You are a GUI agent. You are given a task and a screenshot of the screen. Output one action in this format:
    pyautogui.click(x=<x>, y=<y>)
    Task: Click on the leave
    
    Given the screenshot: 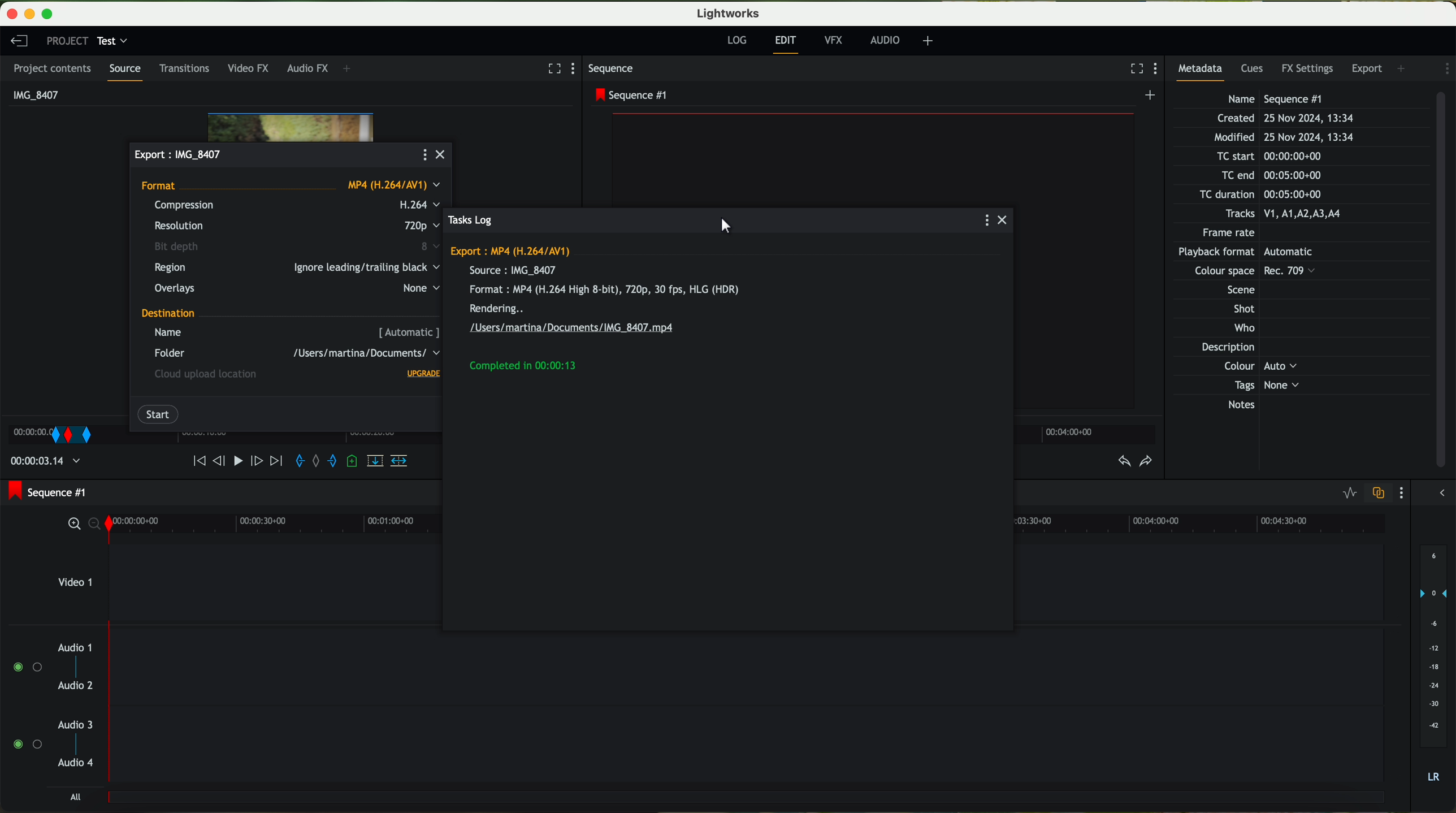 What is the action you would take?
    pyautogui.click(x=18, y=40)
    